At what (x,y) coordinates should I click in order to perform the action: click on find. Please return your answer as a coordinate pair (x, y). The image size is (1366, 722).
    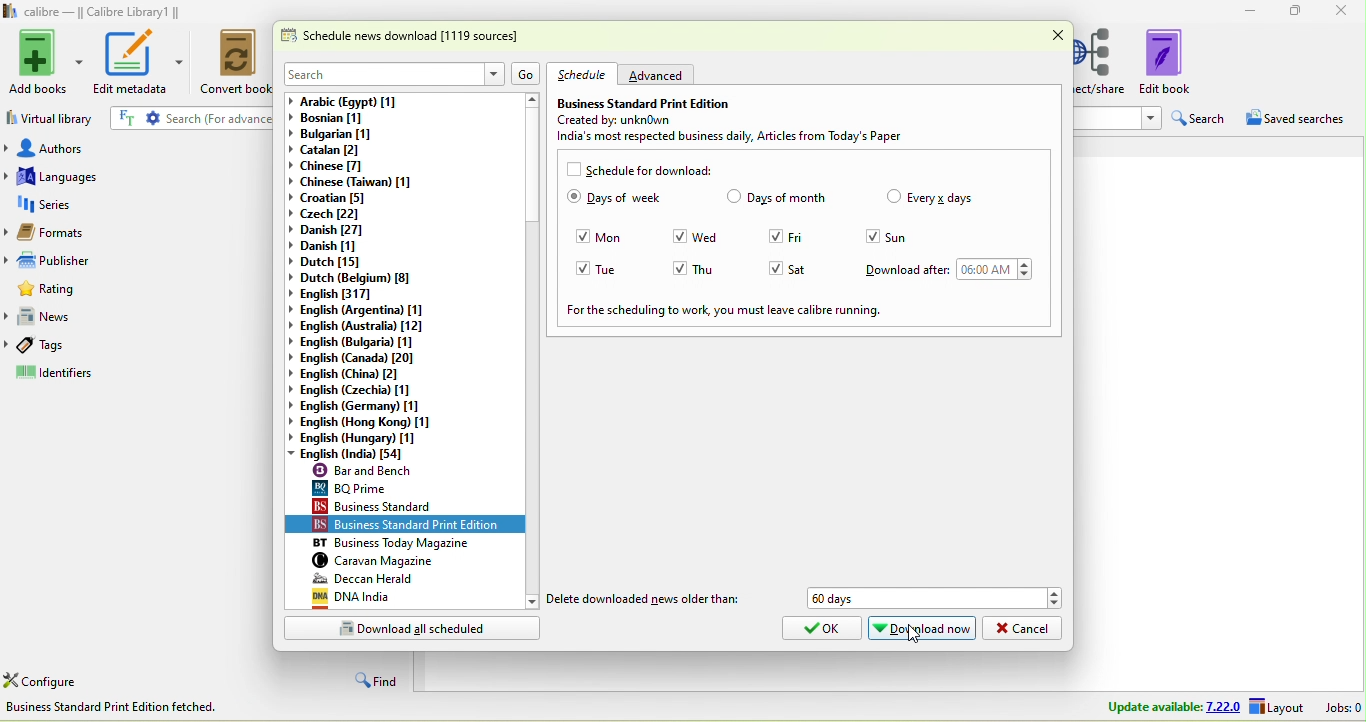
    Looking at the image, I should click on (378, 678).